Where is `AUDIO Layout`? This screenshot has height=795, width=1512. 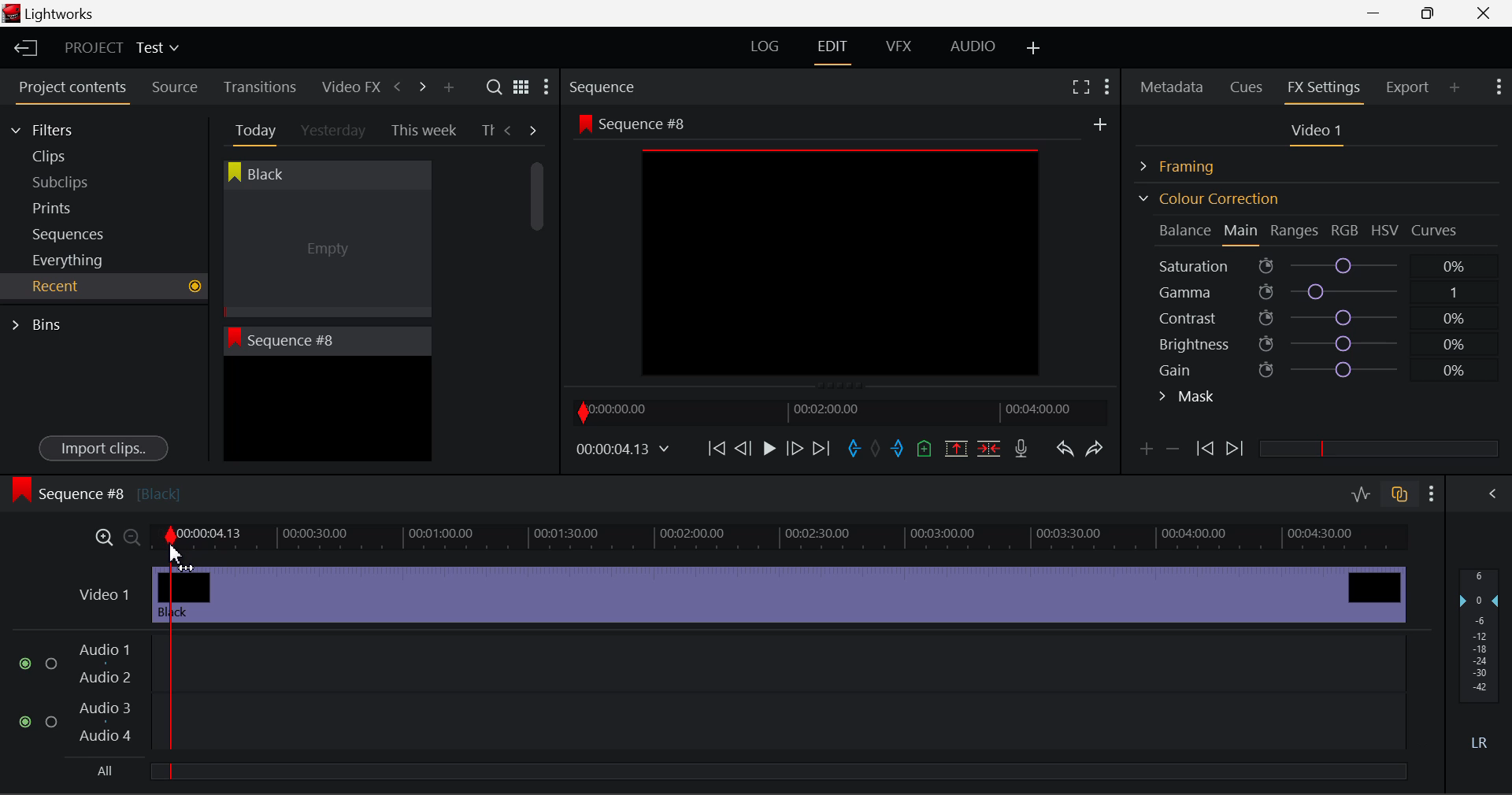 AUDIO Layout is located at coordinates (972, 46).